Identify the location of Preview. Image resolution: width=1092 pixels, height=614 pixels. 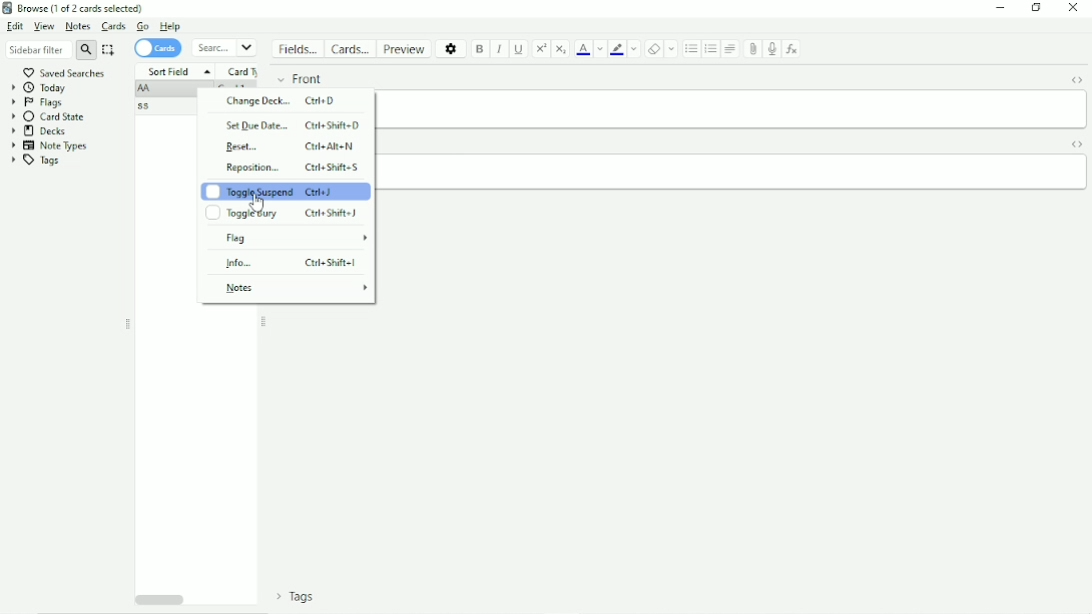
(404, 48).